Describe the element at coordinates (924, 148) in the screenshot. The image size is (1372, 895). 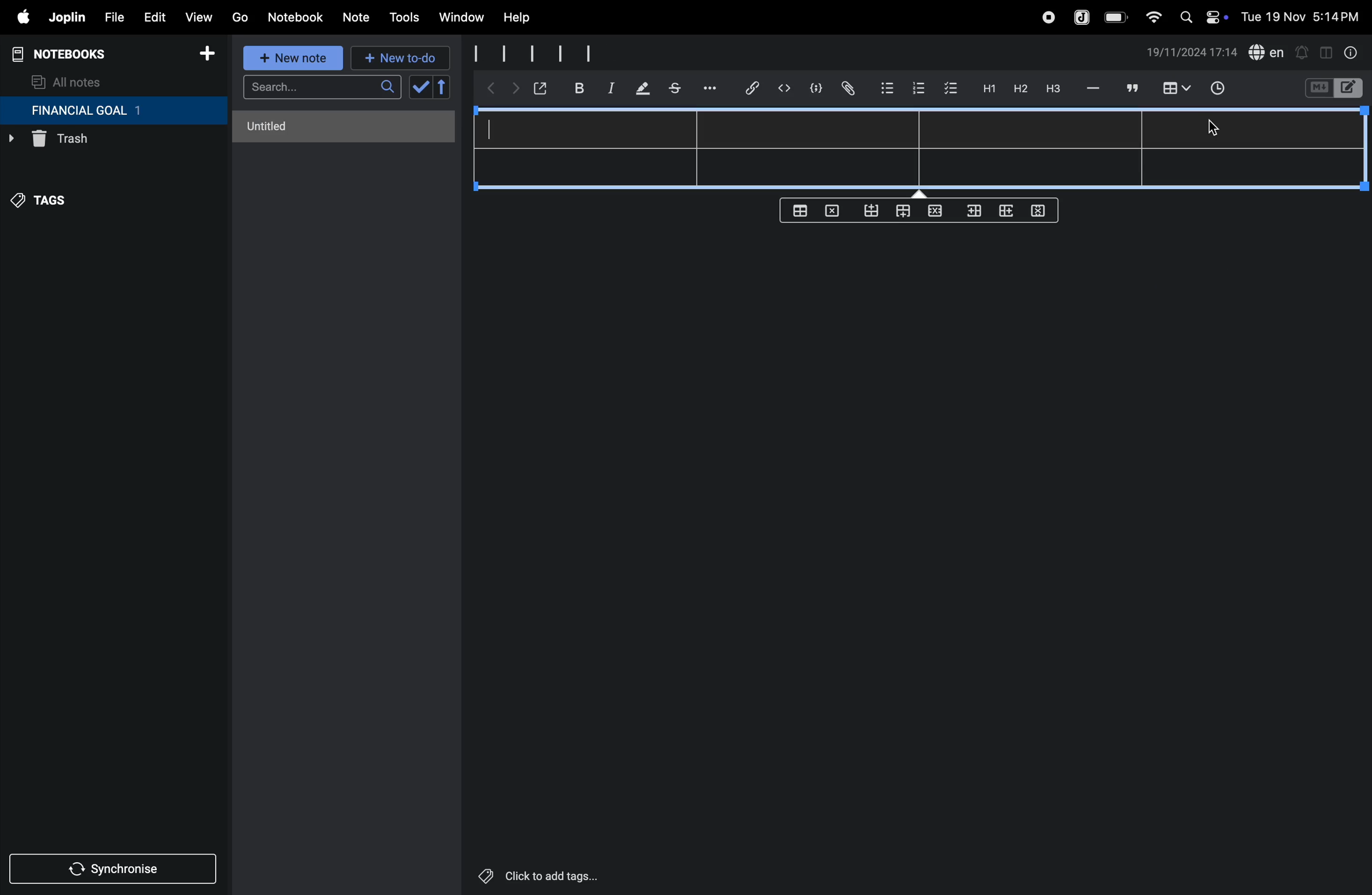
I see `table` at that location.